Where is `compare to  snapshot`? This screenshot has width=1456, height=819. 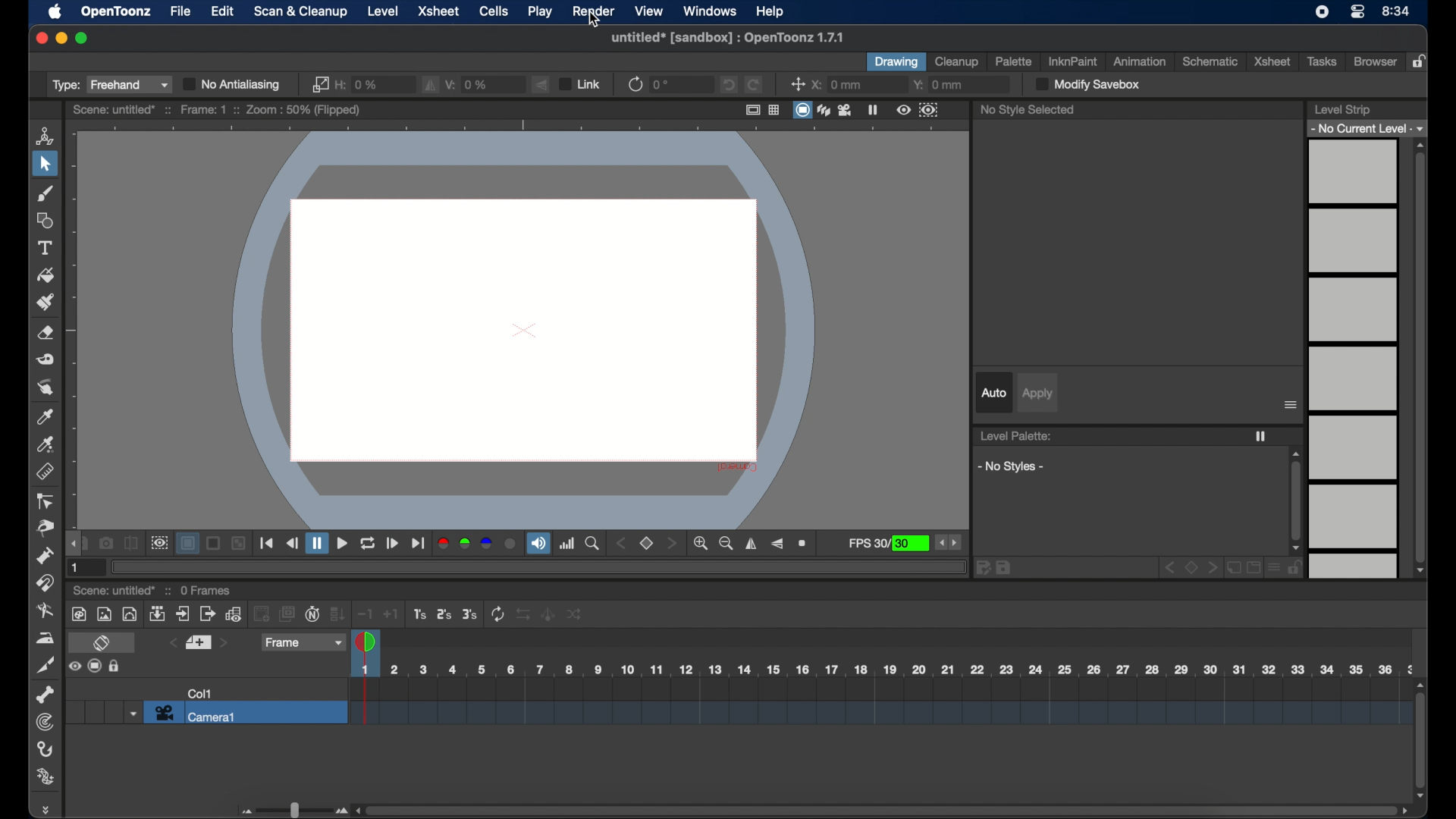
compare to  snapshot is located at coordinates (131, 544).